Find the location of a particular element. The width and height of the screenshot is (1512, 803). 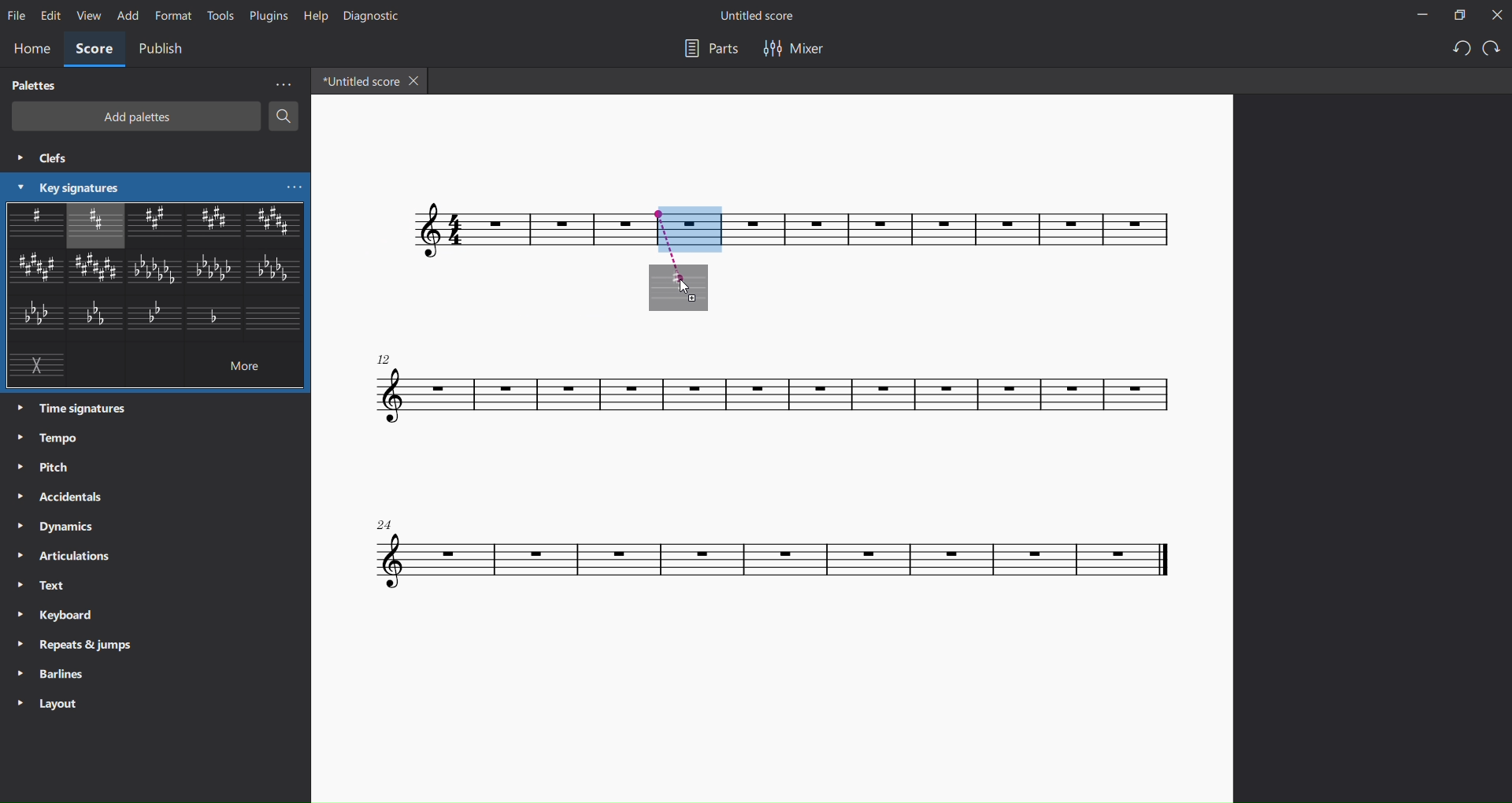

mixer is located at coordinates (805, 48).